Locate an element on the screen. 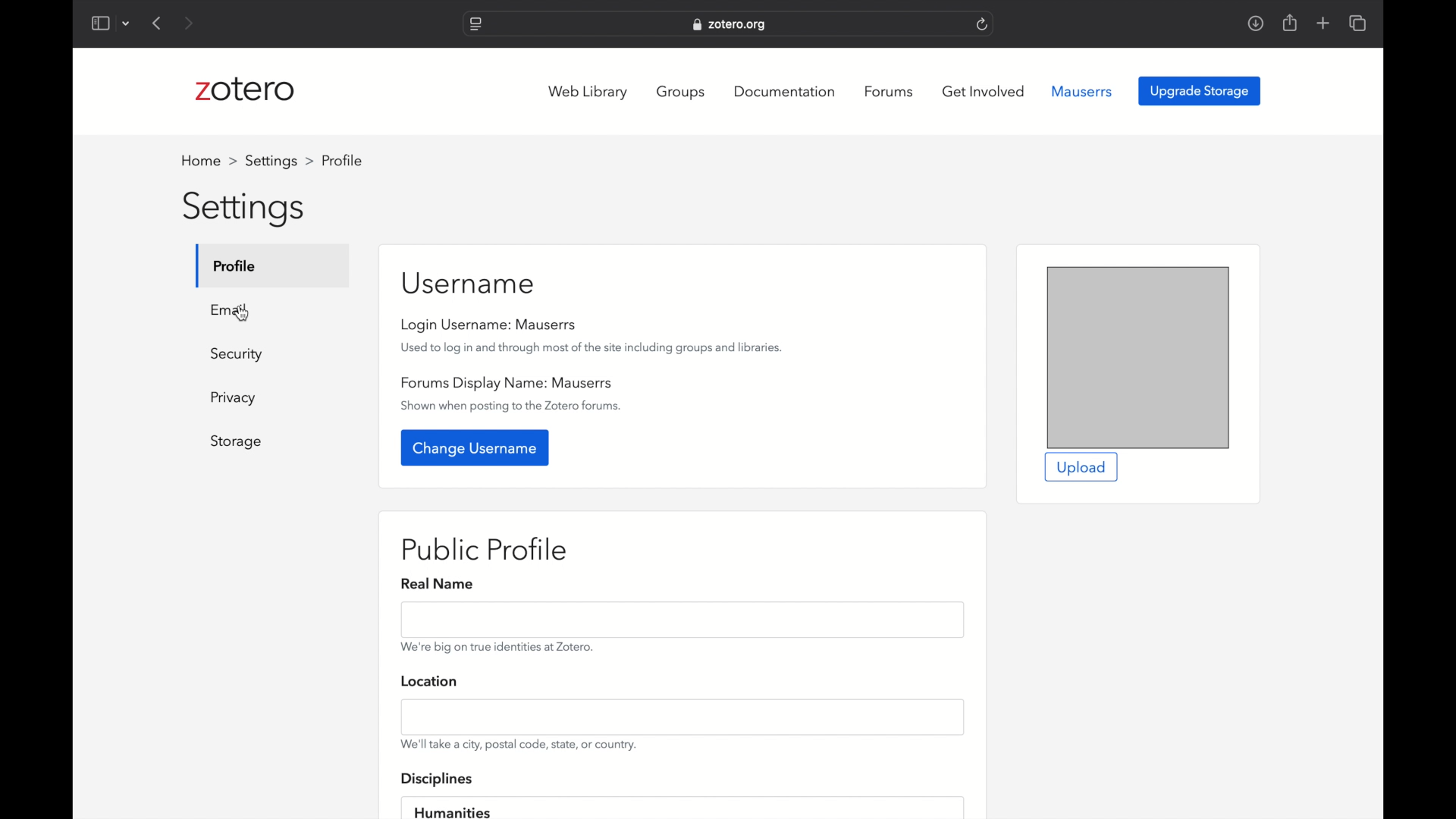 The image size is (1456, 819). show tab overview is located at coordinates (1357, 23).